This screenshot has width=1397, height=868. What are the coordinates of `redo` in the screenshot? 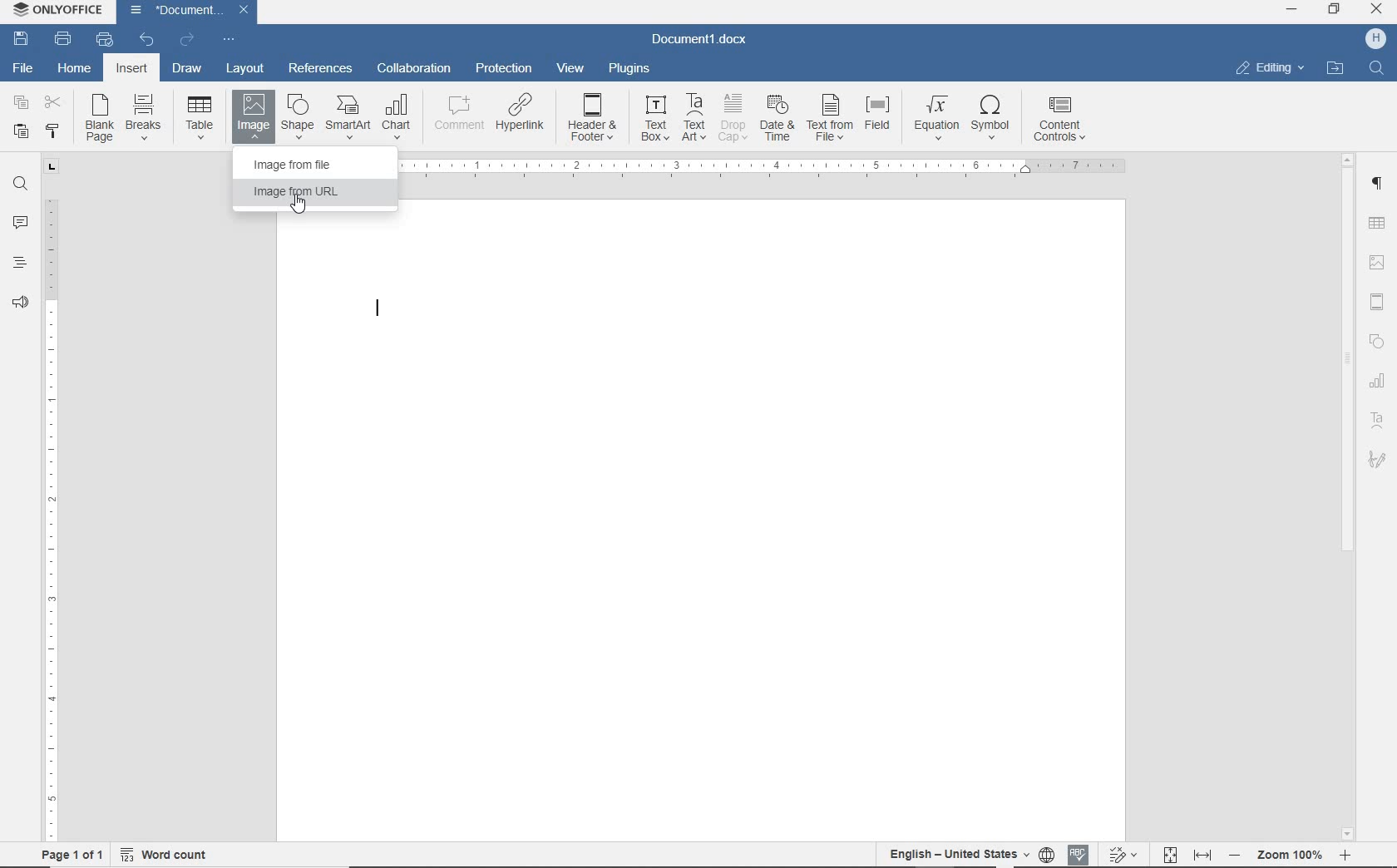 It's located at (186, 40).